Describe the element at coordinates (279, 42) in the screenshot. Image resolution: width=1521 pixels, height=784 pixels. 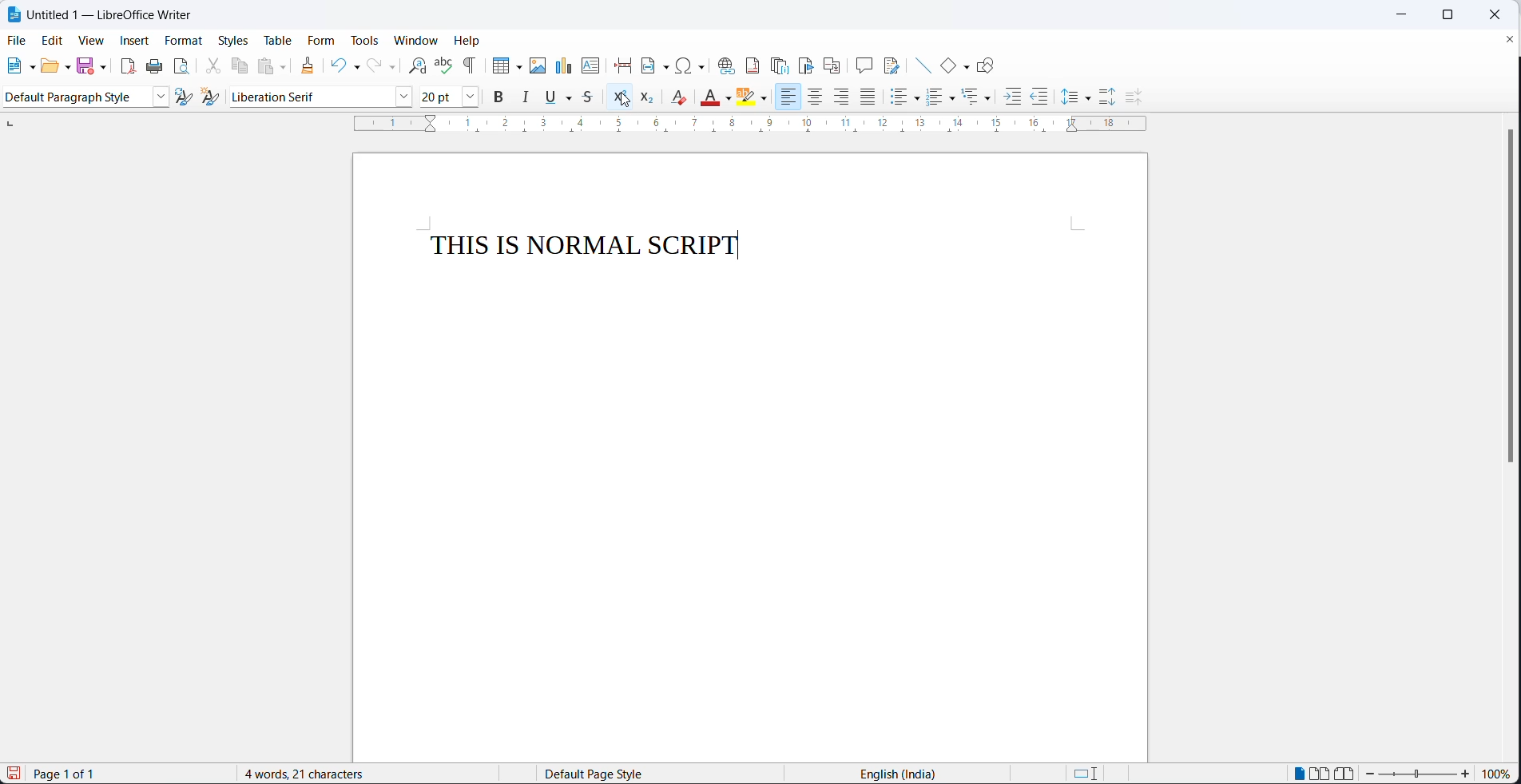
I see `table` at that location.